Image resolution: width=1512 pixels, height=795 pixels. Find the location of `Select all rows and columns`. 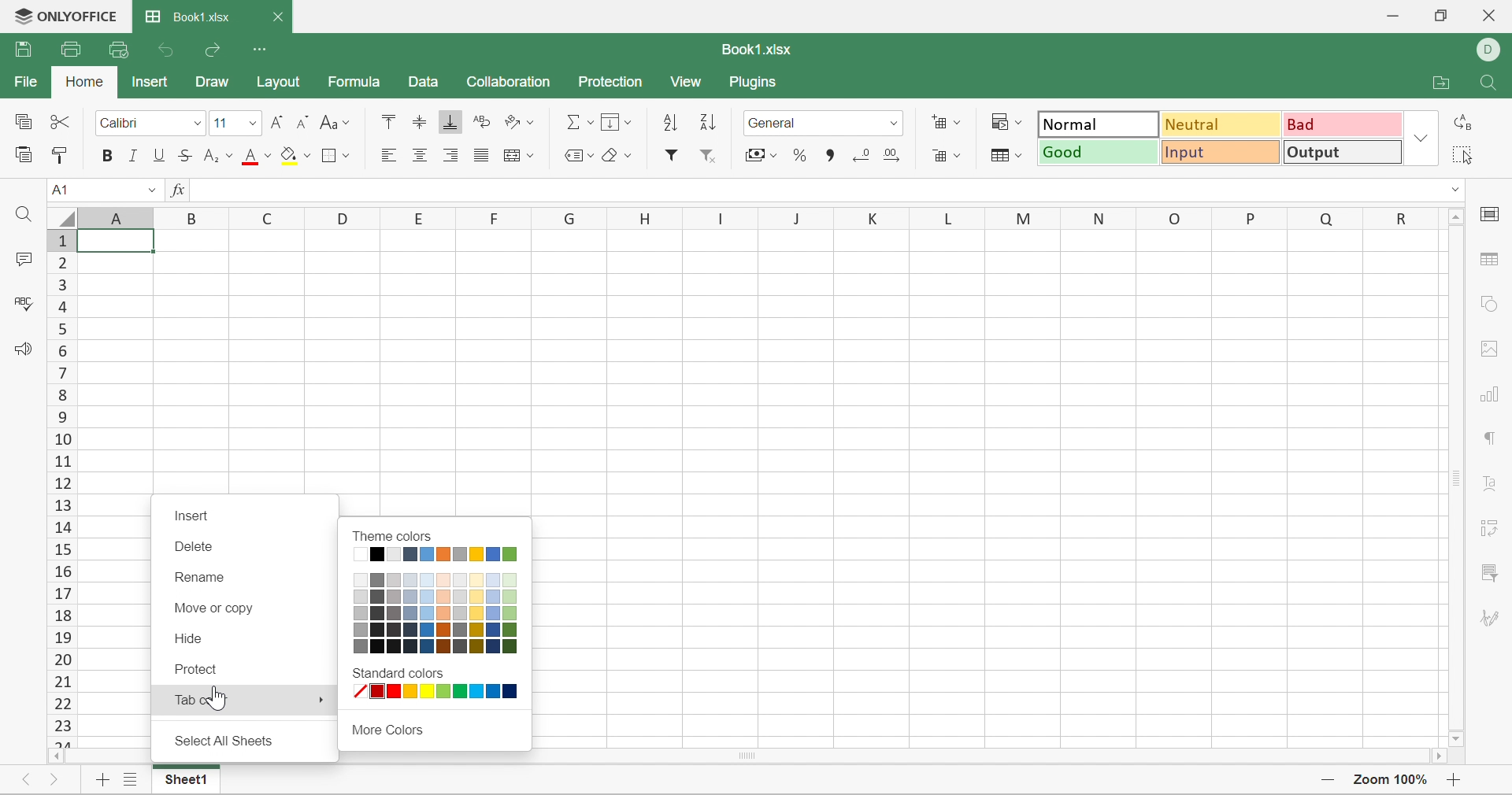

Select all rows and columns is located at coordinates (57, 216).